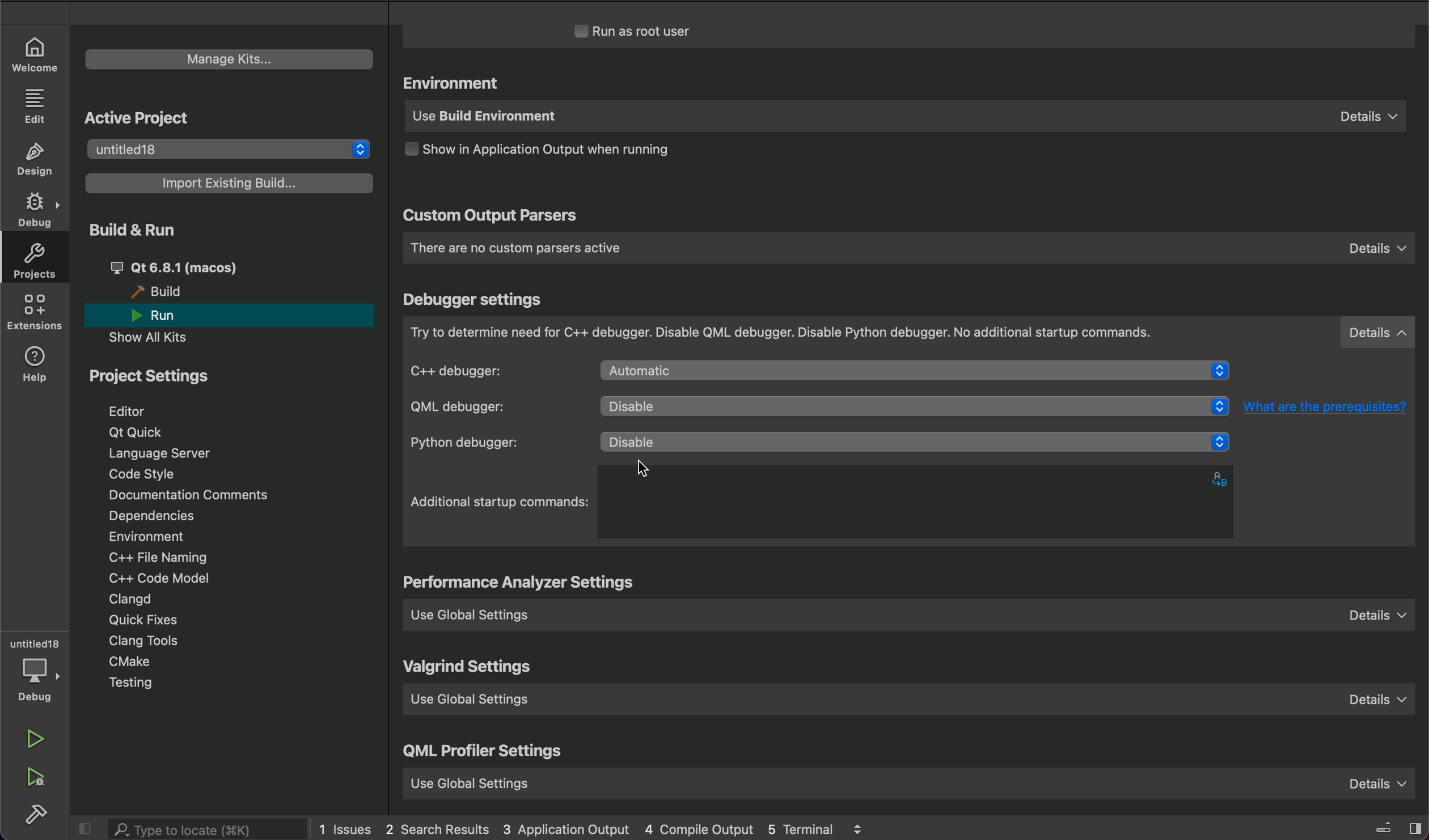 The image size is (1429, 840). What do you see at coordinates (523, 584) in the screenshot?
I see `settings` at bounding box center [523, 584].